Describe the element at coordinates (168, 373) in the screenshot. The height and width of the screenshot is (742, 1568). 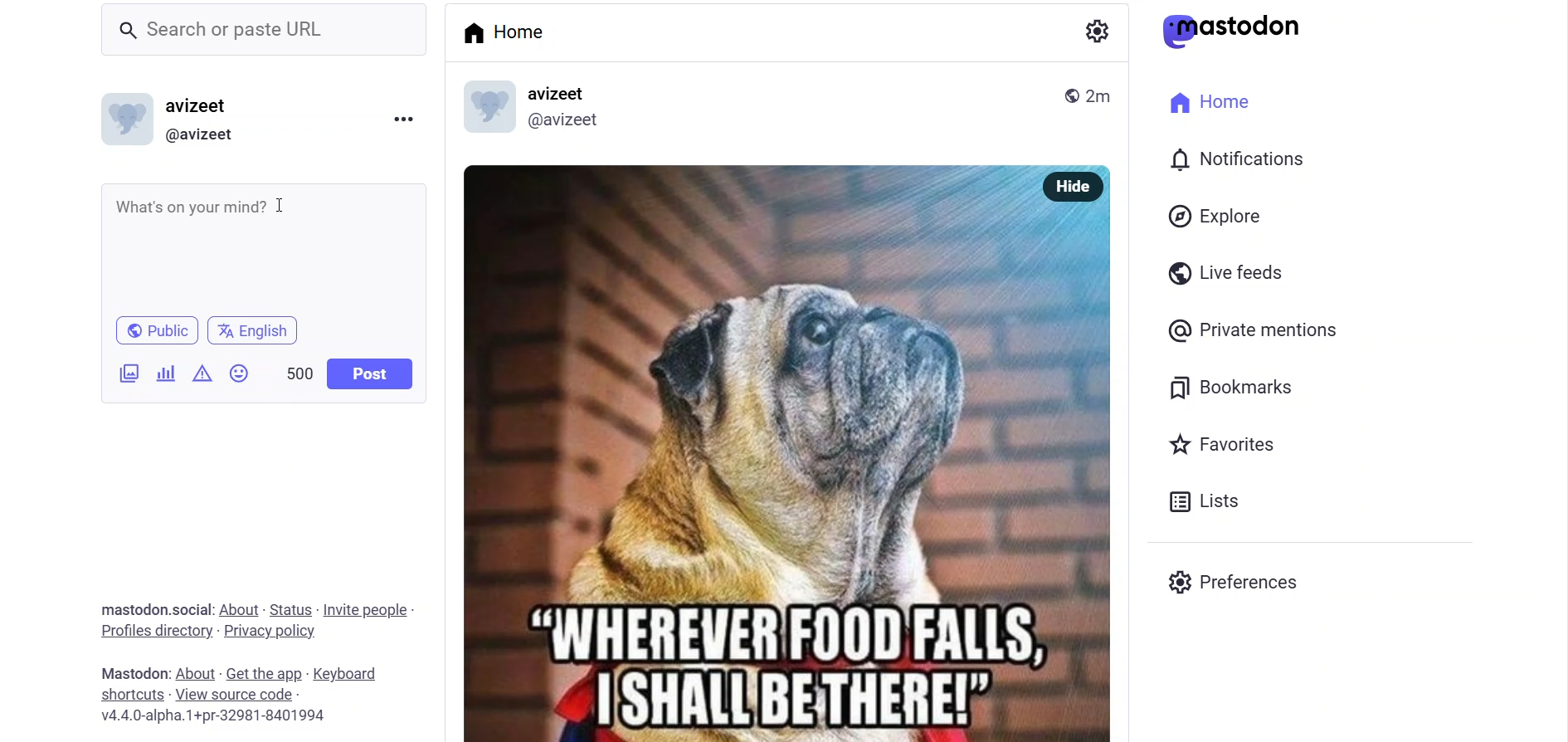
I see `poll` at that location.